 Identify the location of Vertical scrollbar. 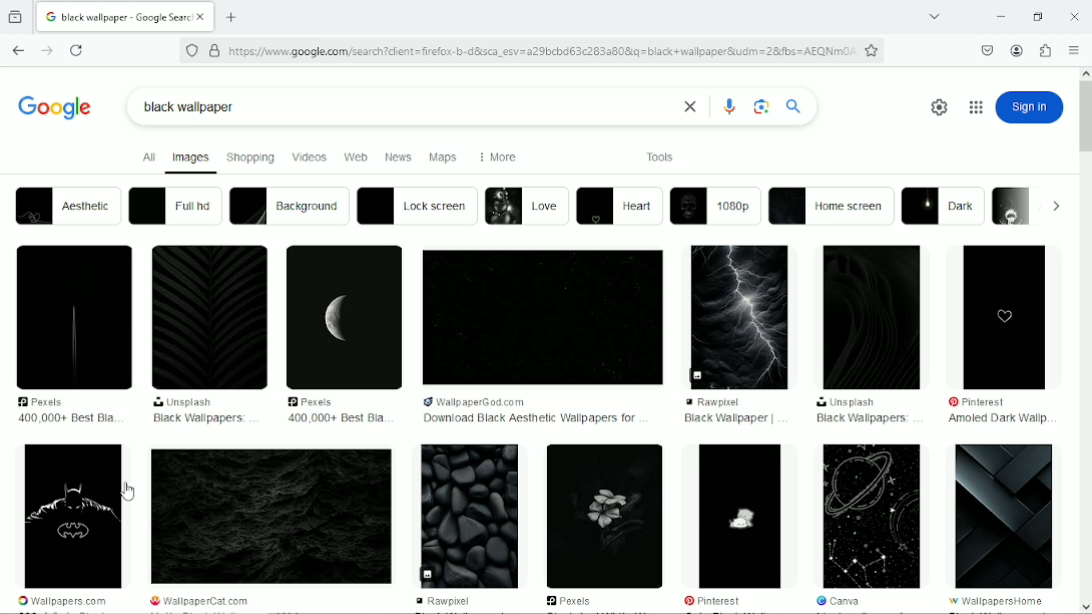
(1085, 121).